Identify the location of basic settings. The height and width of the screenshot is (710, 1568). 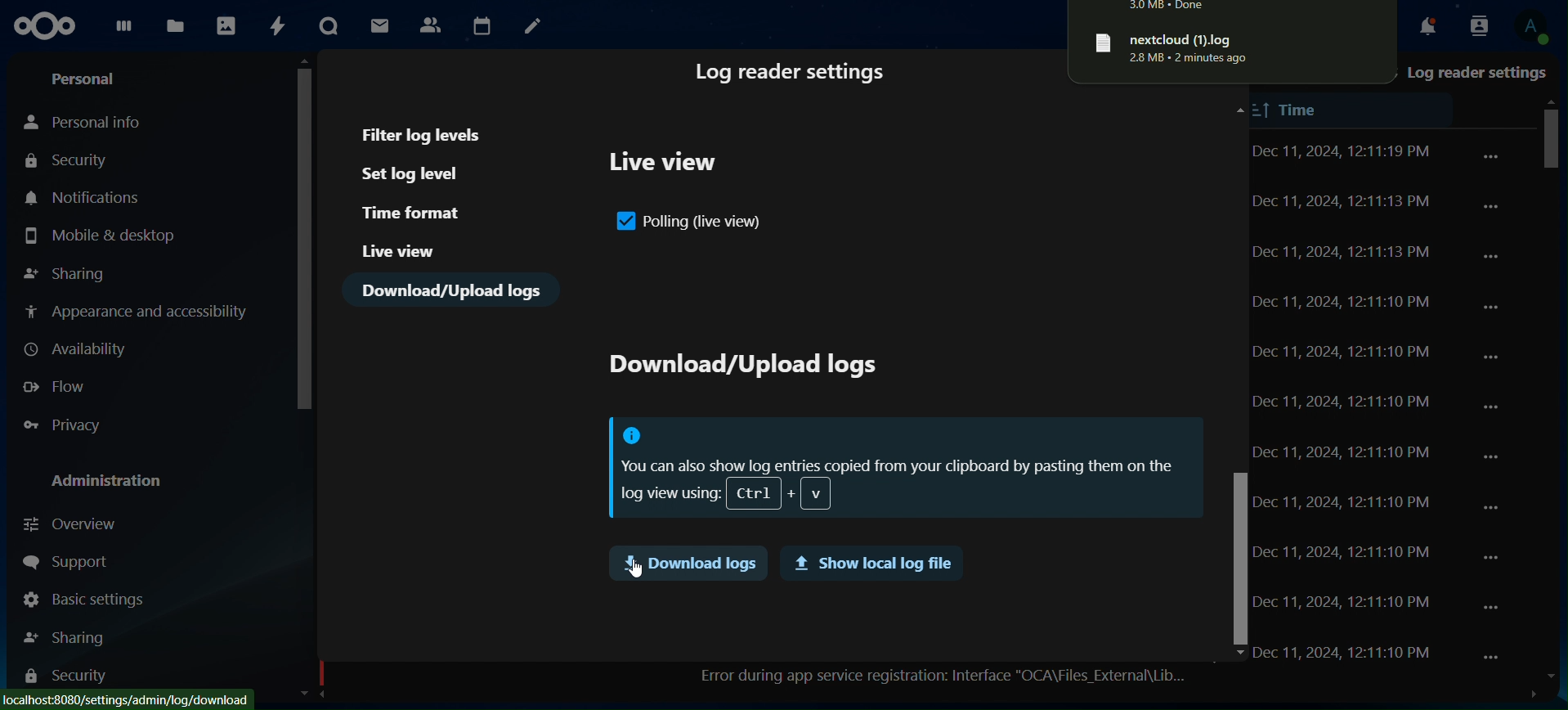
(85, 600).